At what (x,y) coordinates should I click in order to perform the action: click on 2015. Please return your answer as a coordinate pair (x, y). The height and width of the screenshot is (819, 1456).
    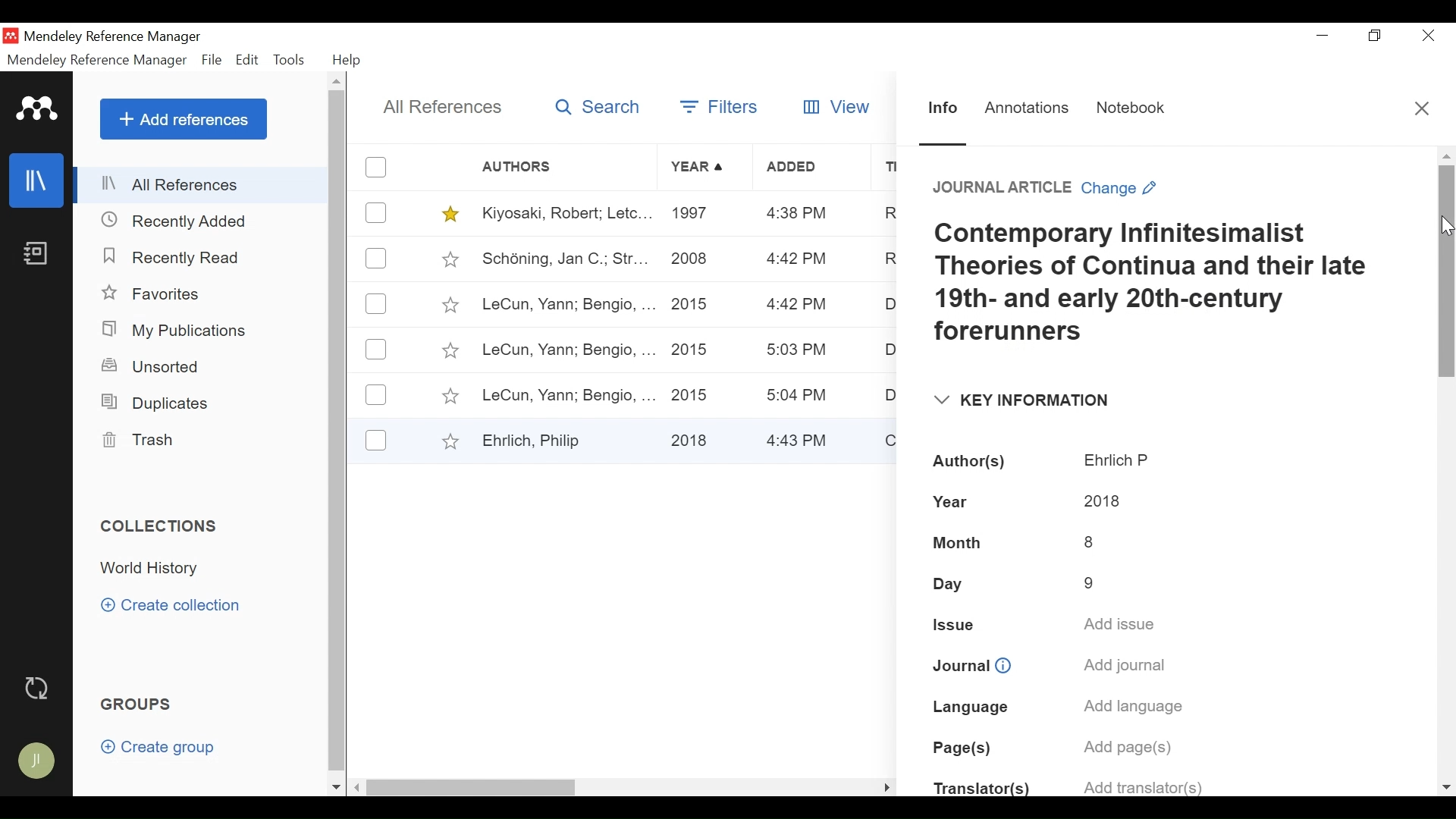
    Looking at the image, I should click on (693, 303).